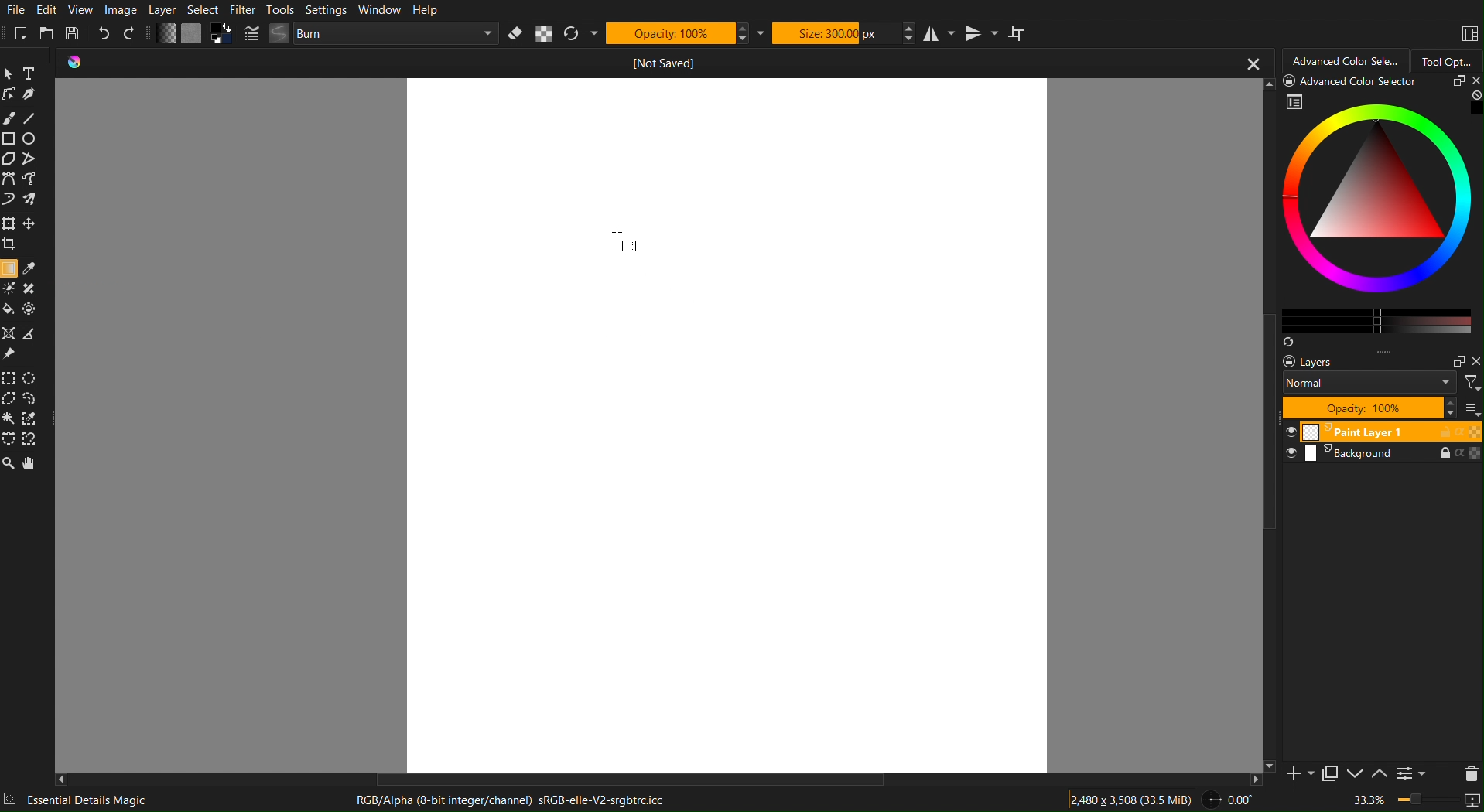 The height and width of the screenshot is (812, 1484). What do you see at coordinates (280, 10) in the screenshot?
I see `Tools` at bounding box center [280, 10].